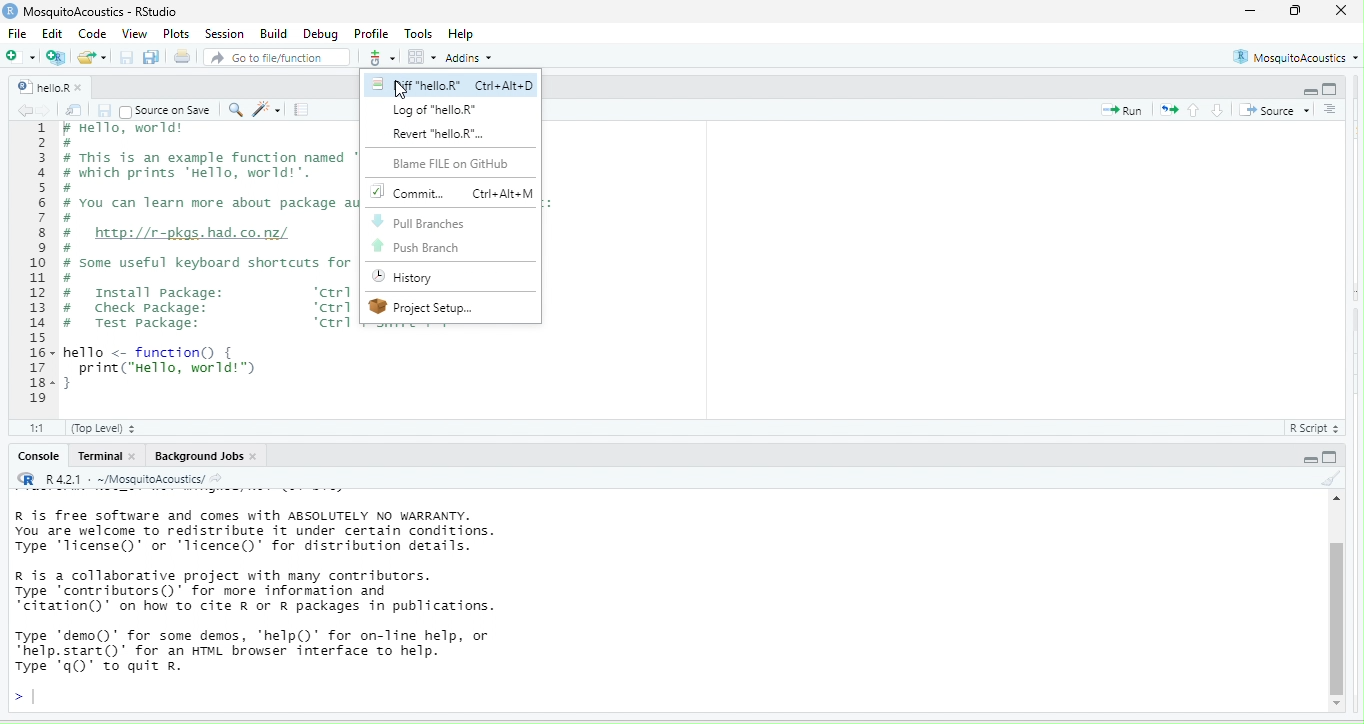 The image size is (1364, 724). Describe the element at coordinates (1337, 603) in the screenshot. I see `vertical scroll bar` at that location.